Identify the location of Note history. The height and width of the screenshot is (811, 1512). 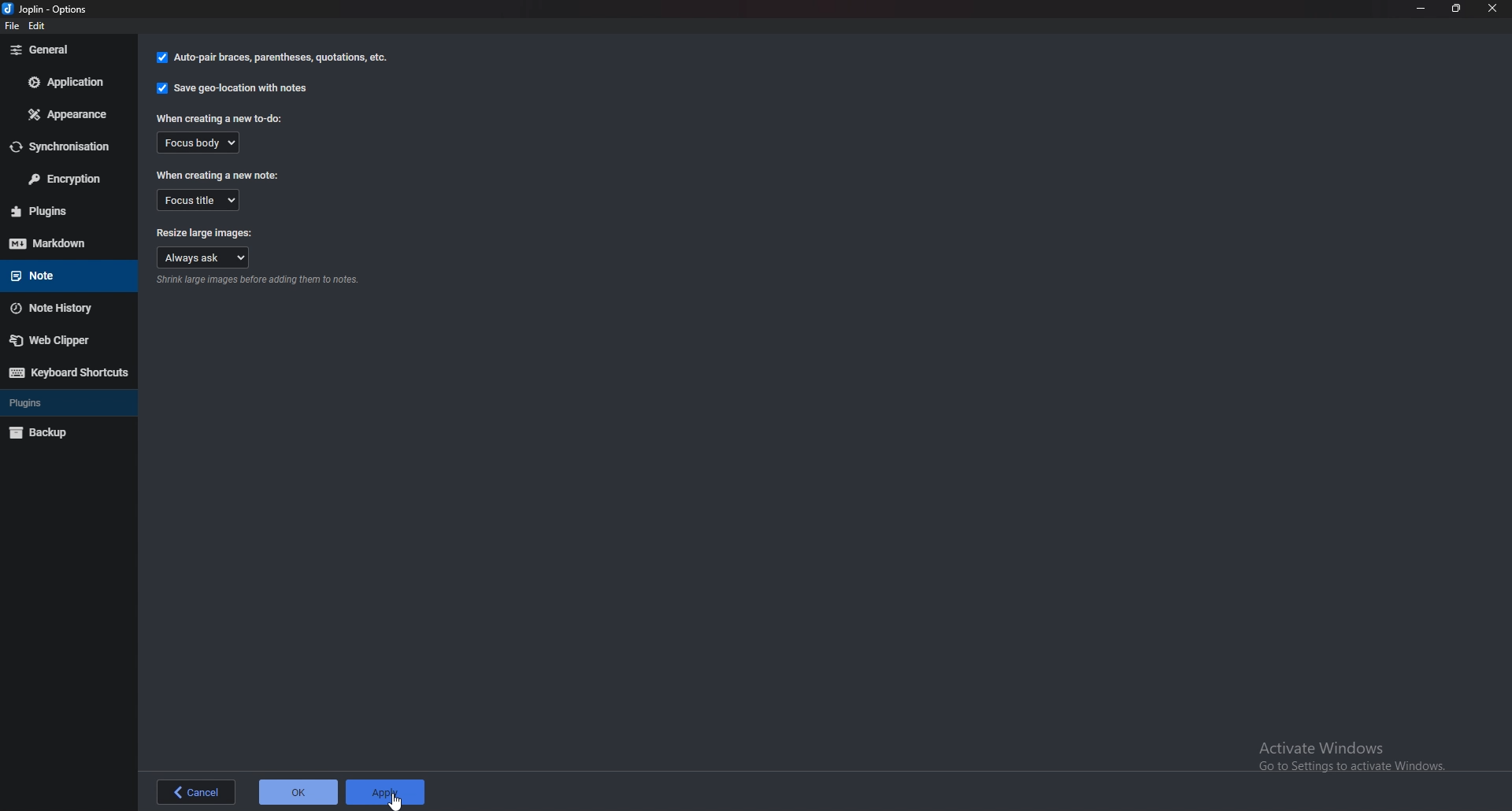
(61, 308).